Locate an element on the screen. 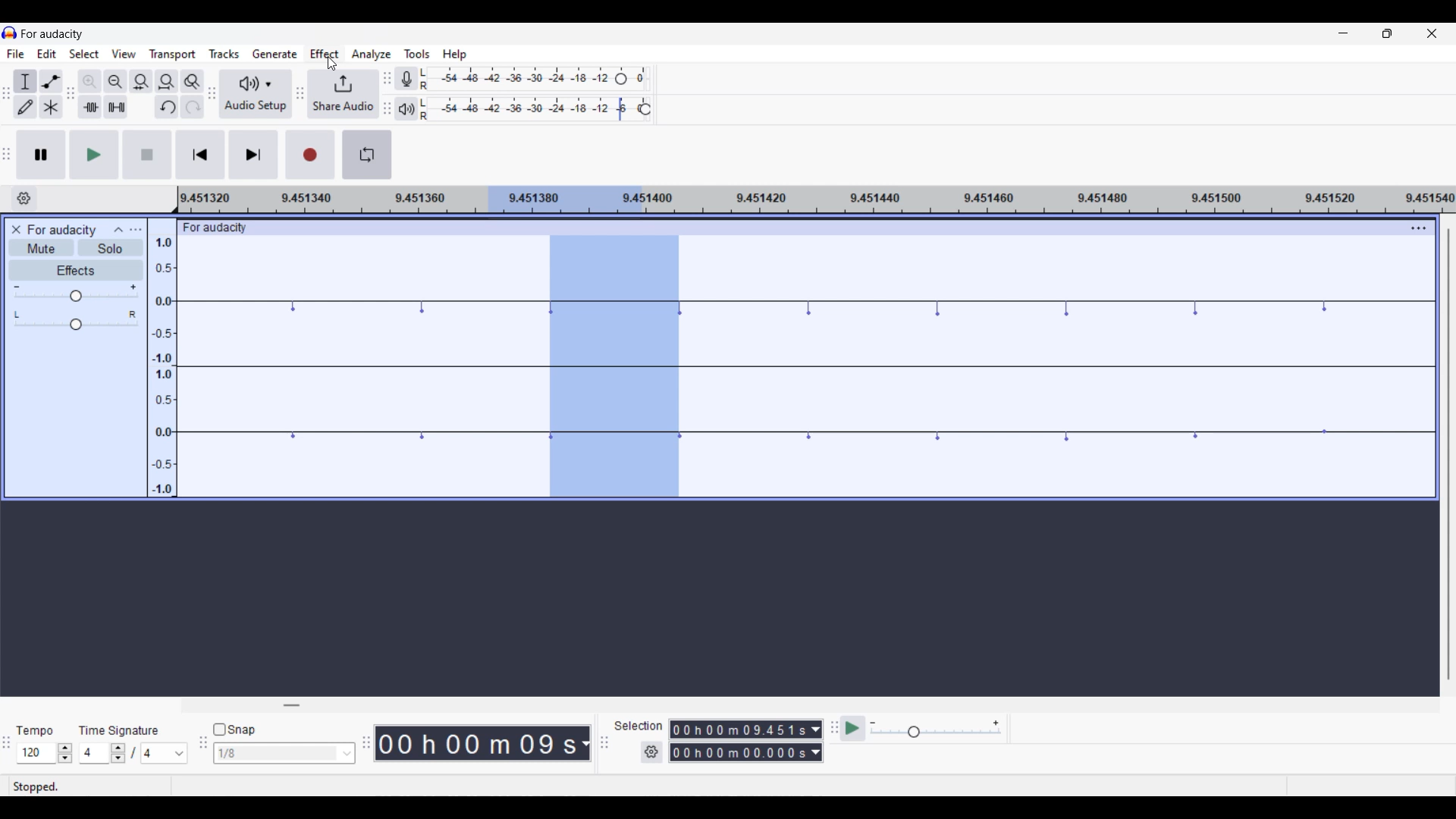  Selection duration is located at coordinates (738, 742).